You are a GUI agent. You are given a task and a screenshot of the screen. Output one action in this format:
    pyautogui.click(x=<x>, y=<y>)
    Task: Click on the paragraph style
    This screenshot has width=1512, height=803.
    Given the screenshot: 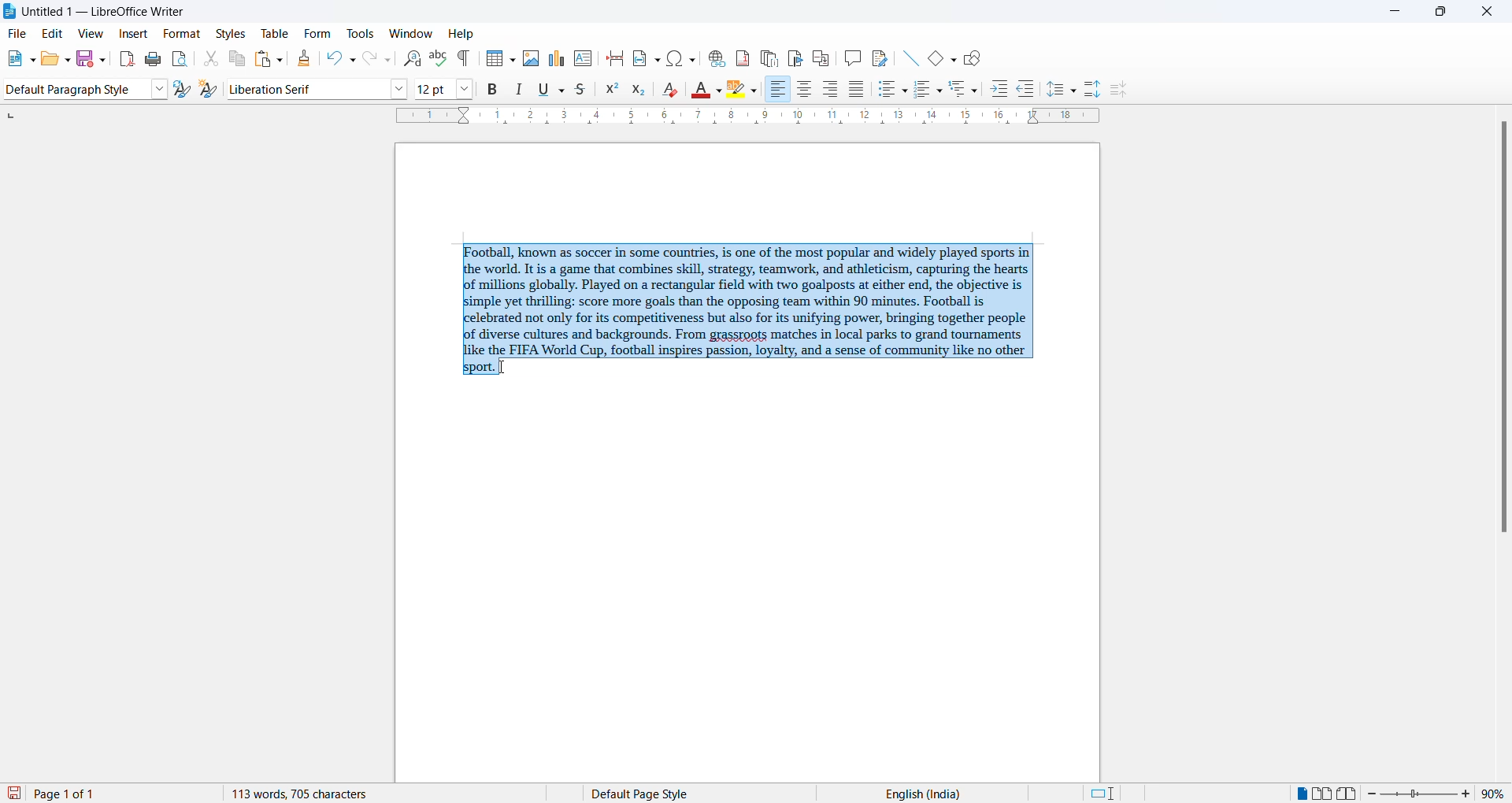 What is the action you would take?
    pyautogui.click(x=79, y=88)
    